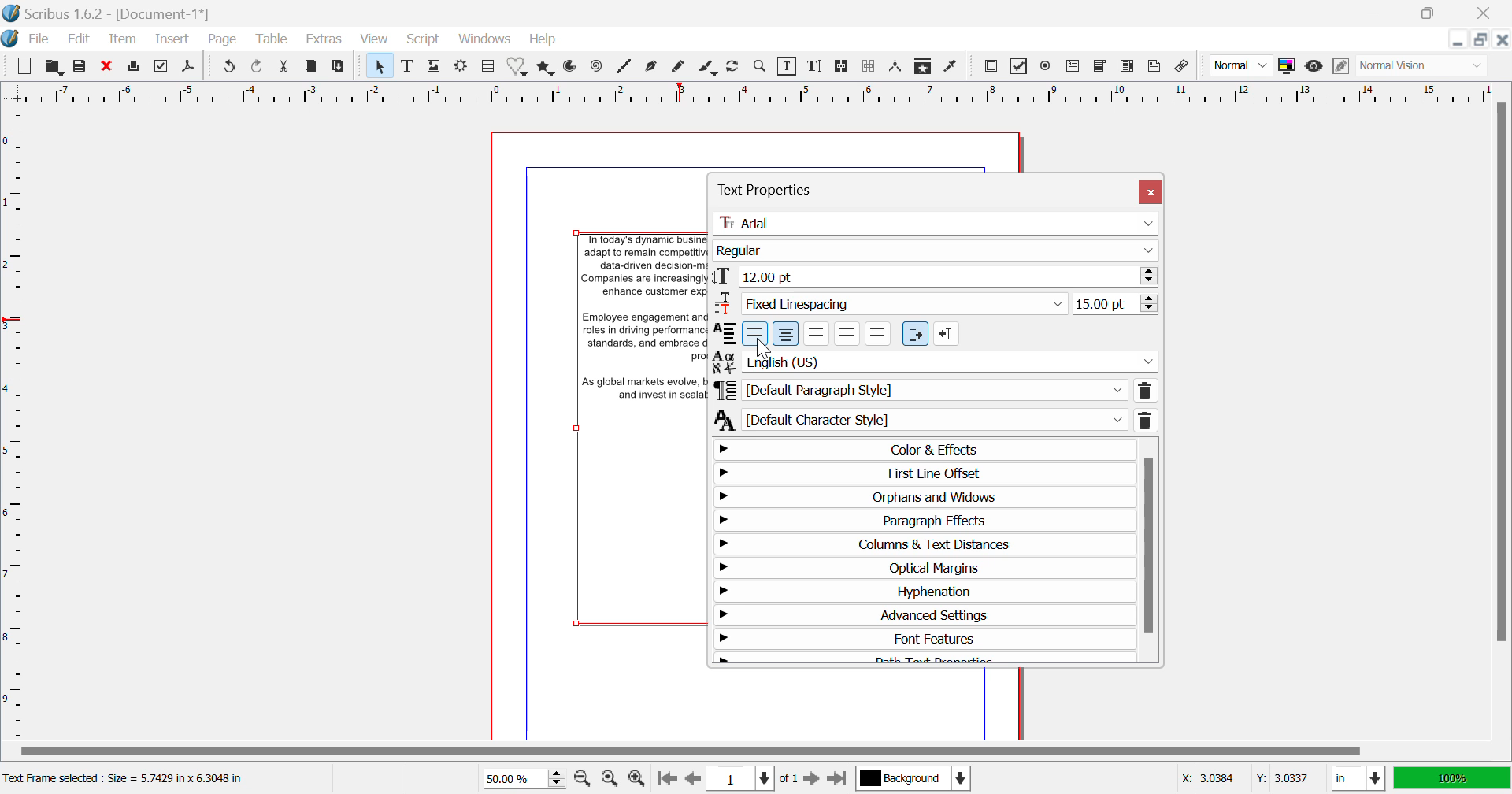 This screenshot has height=794, width=1512. What do you see at coordinates (121, 40) in the screenshot?
I see `Item` at bounding box center [121, 40].